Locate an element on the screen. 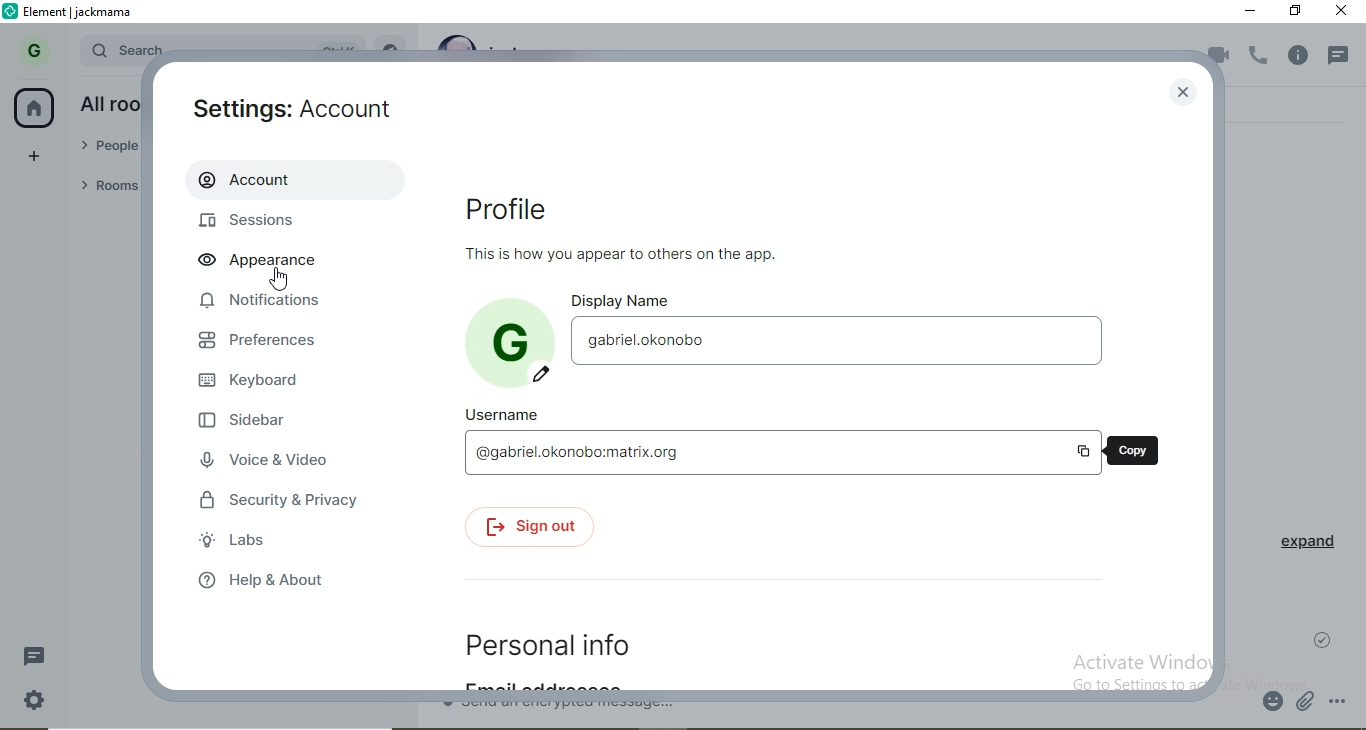  emoji is located at coordinates (1274, 703).